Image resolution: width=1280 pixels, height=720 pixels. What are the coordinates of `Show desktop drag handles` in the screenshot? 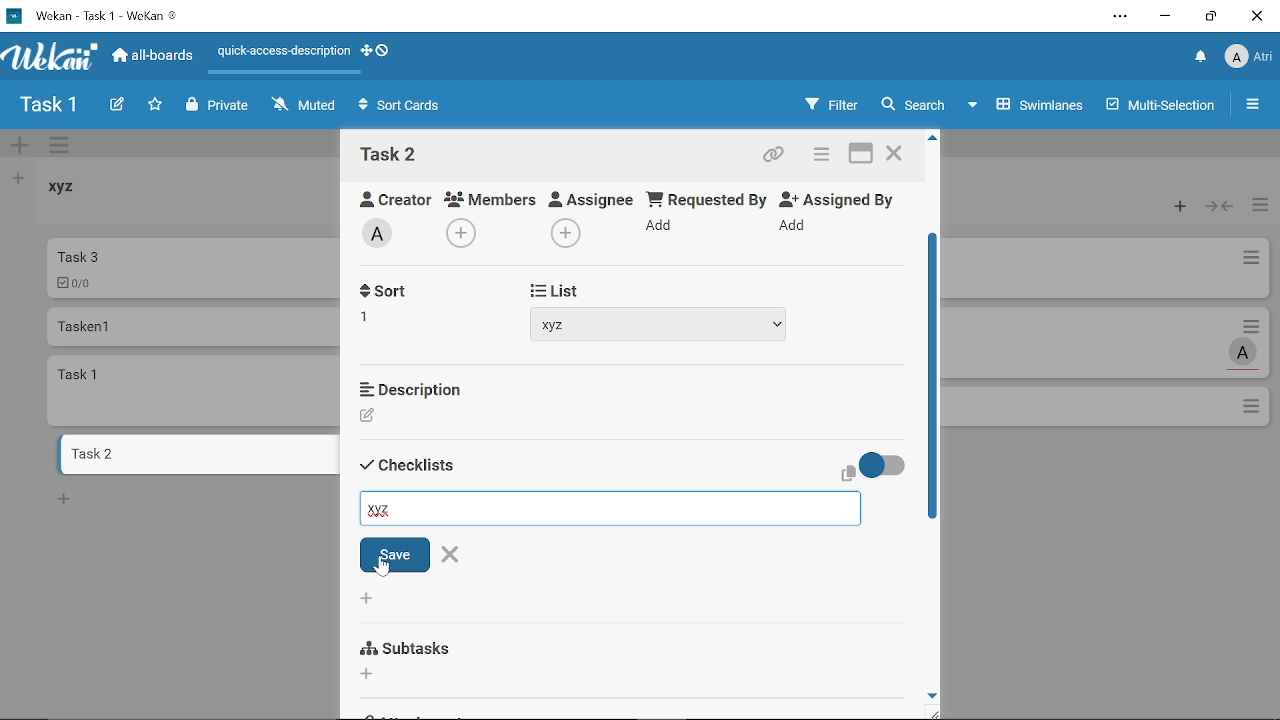 It's located at (365, 51).